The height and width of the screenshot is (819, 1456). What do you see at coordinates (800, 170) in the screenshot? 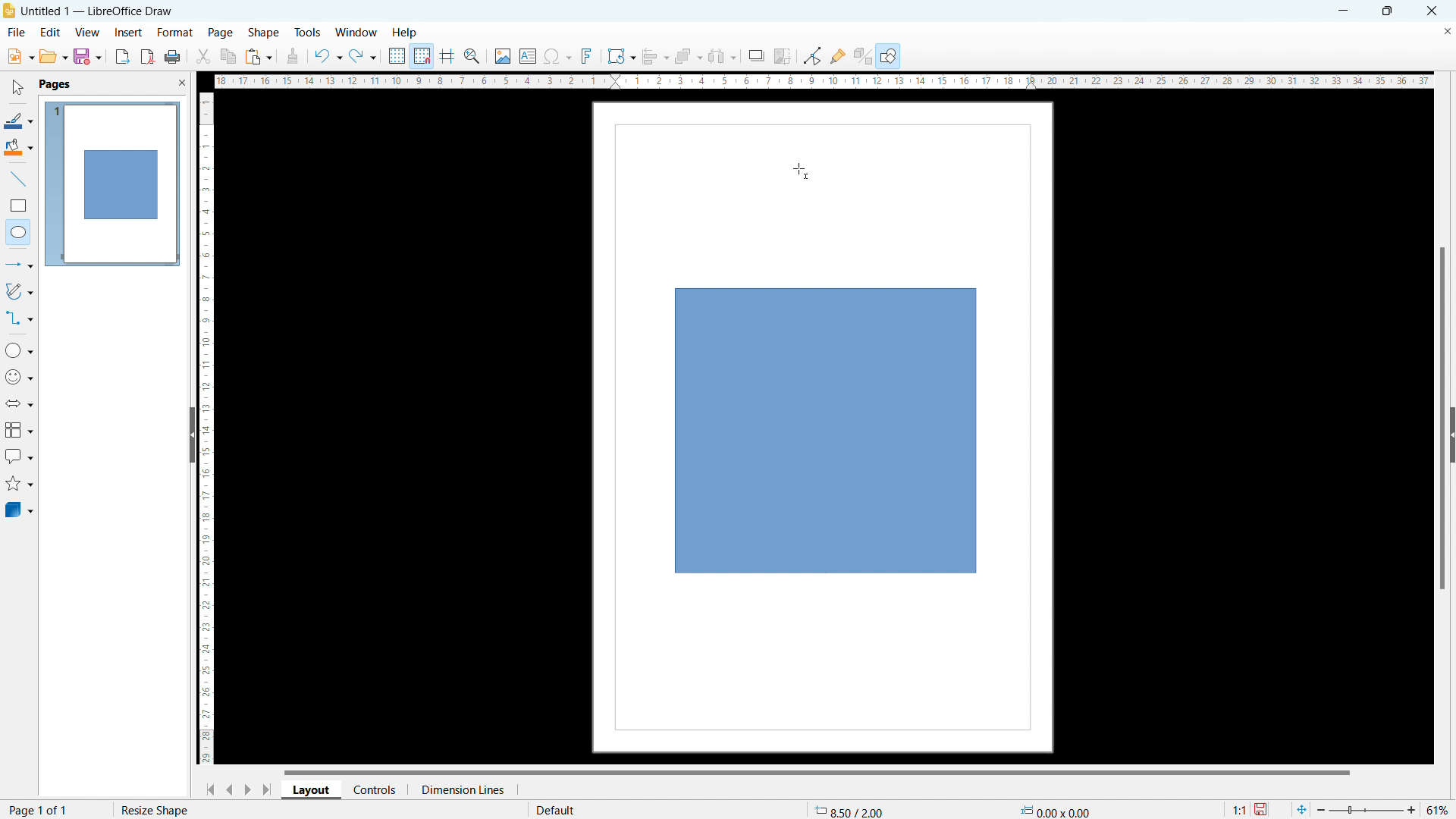
I see `cursor` at bounding box center [800, 170].